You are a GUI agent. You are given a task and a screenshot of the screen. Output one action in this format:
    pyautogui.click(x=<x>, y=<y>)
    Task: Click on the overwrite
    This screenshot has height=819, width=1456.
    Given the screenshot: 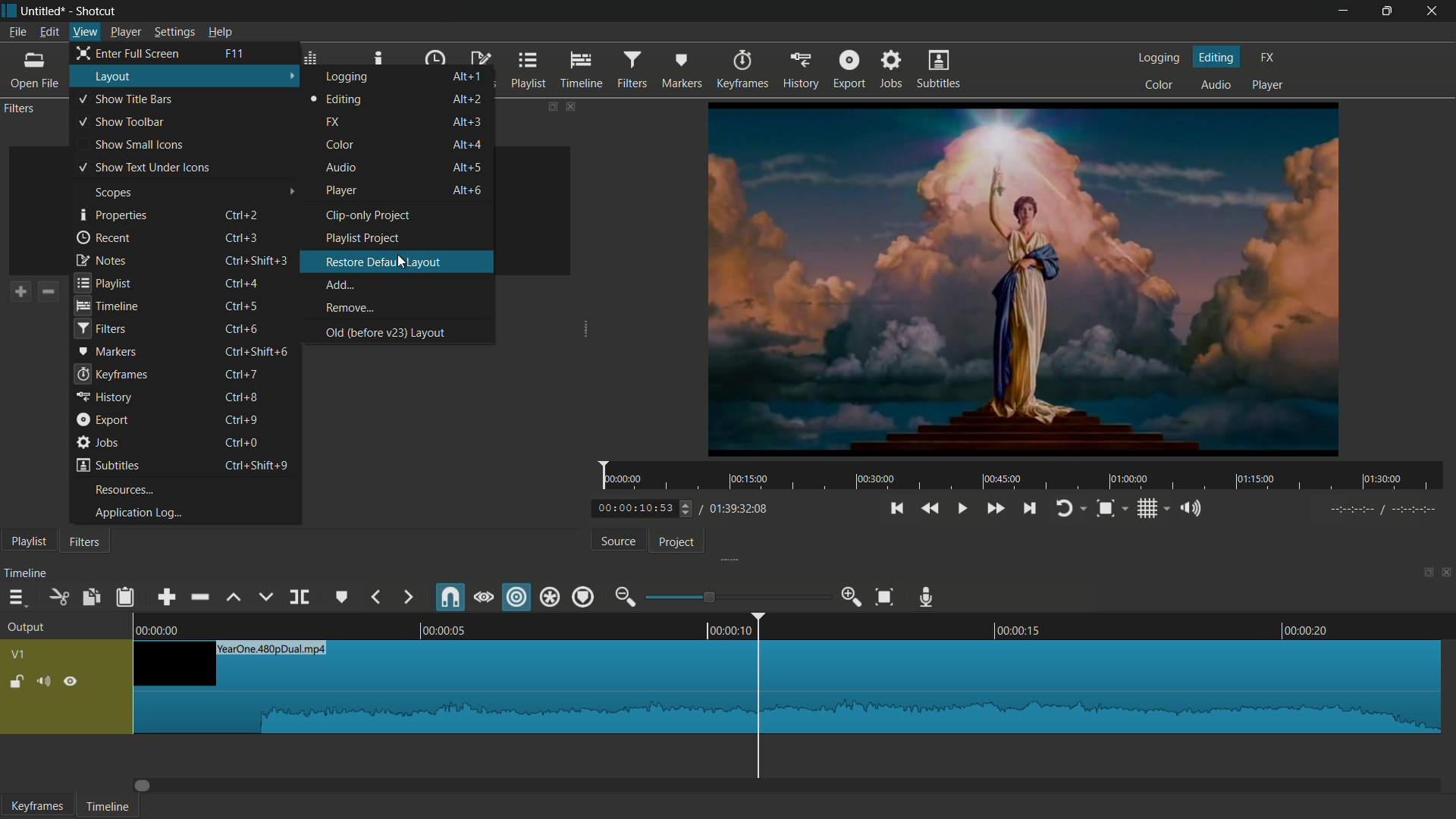 What is the action you would take?
    pyautogui.click(x=265, y=598)
    